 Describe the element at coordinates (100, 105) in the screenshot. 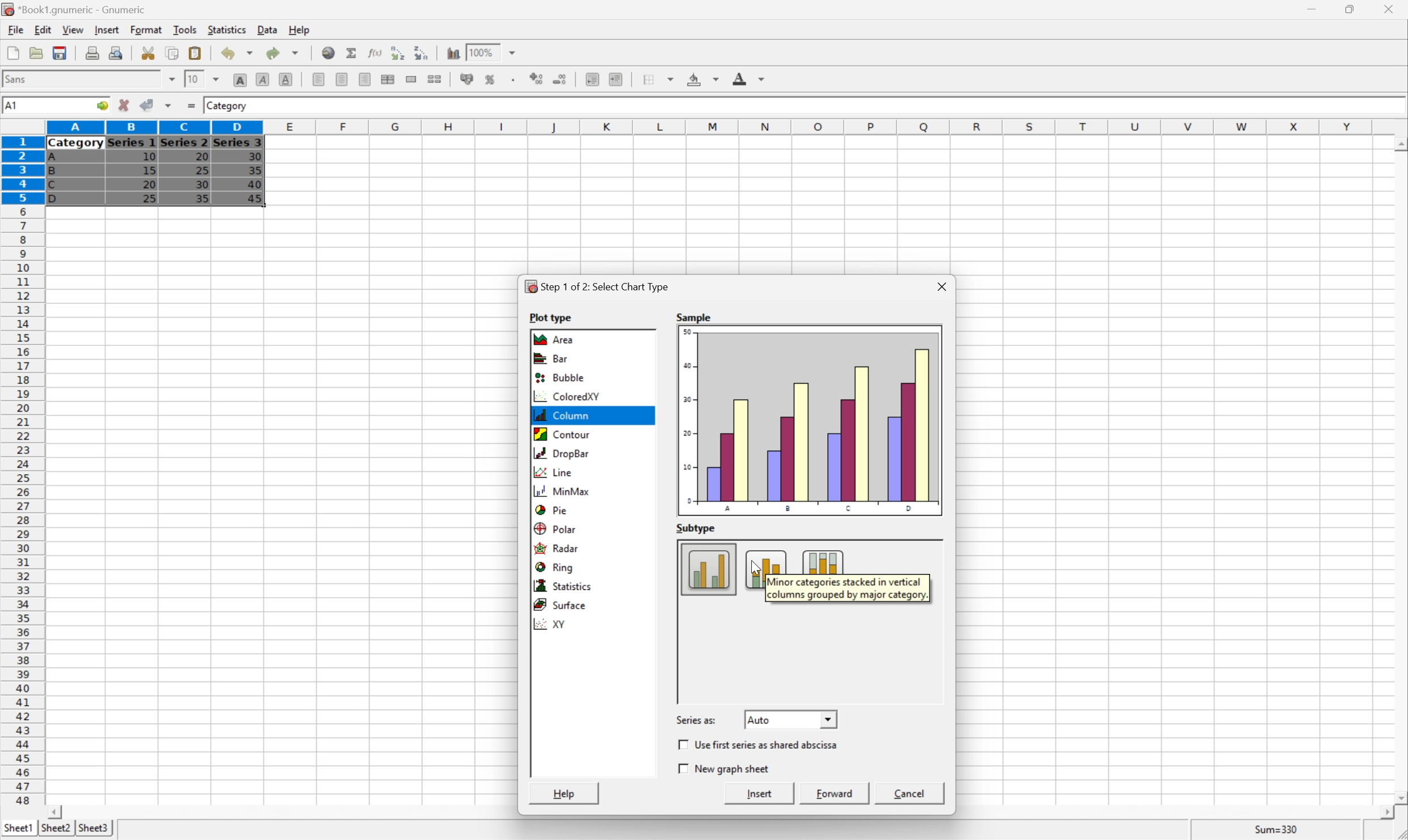

I see `Go to` at that location.